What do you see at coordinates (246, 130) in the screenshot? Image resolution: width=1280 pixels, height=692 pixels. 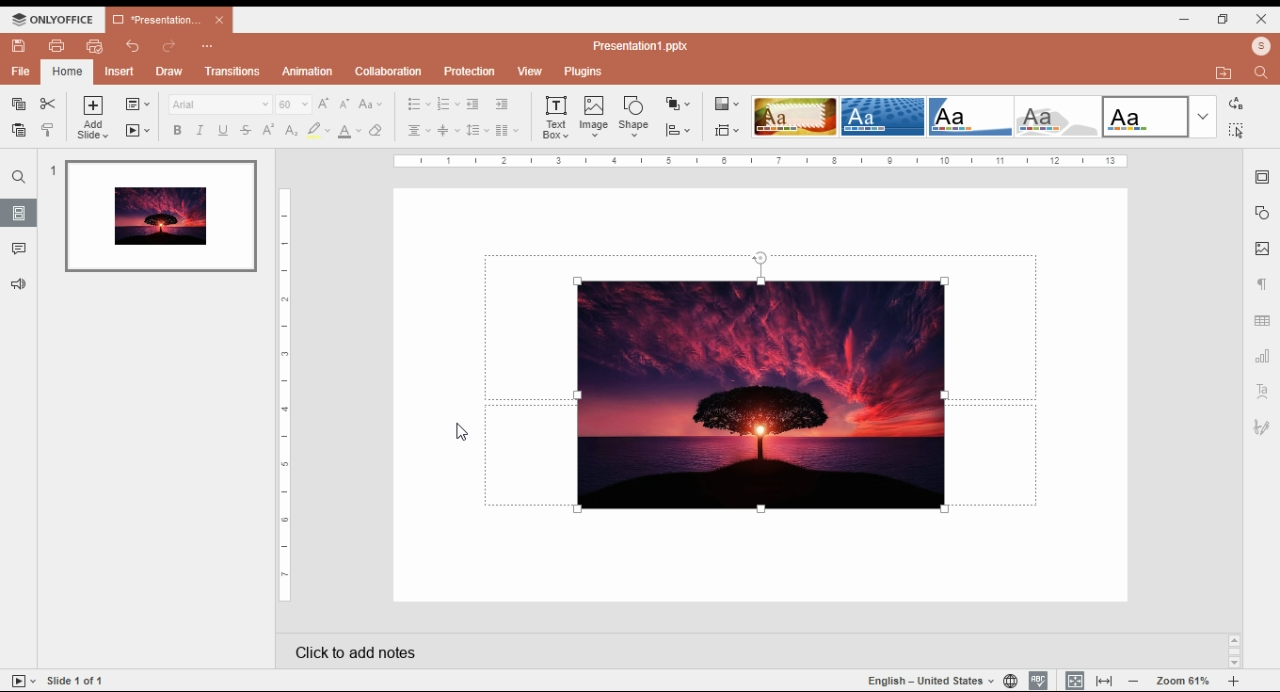 I see `strikethrough` at bounding box center [246, 130].